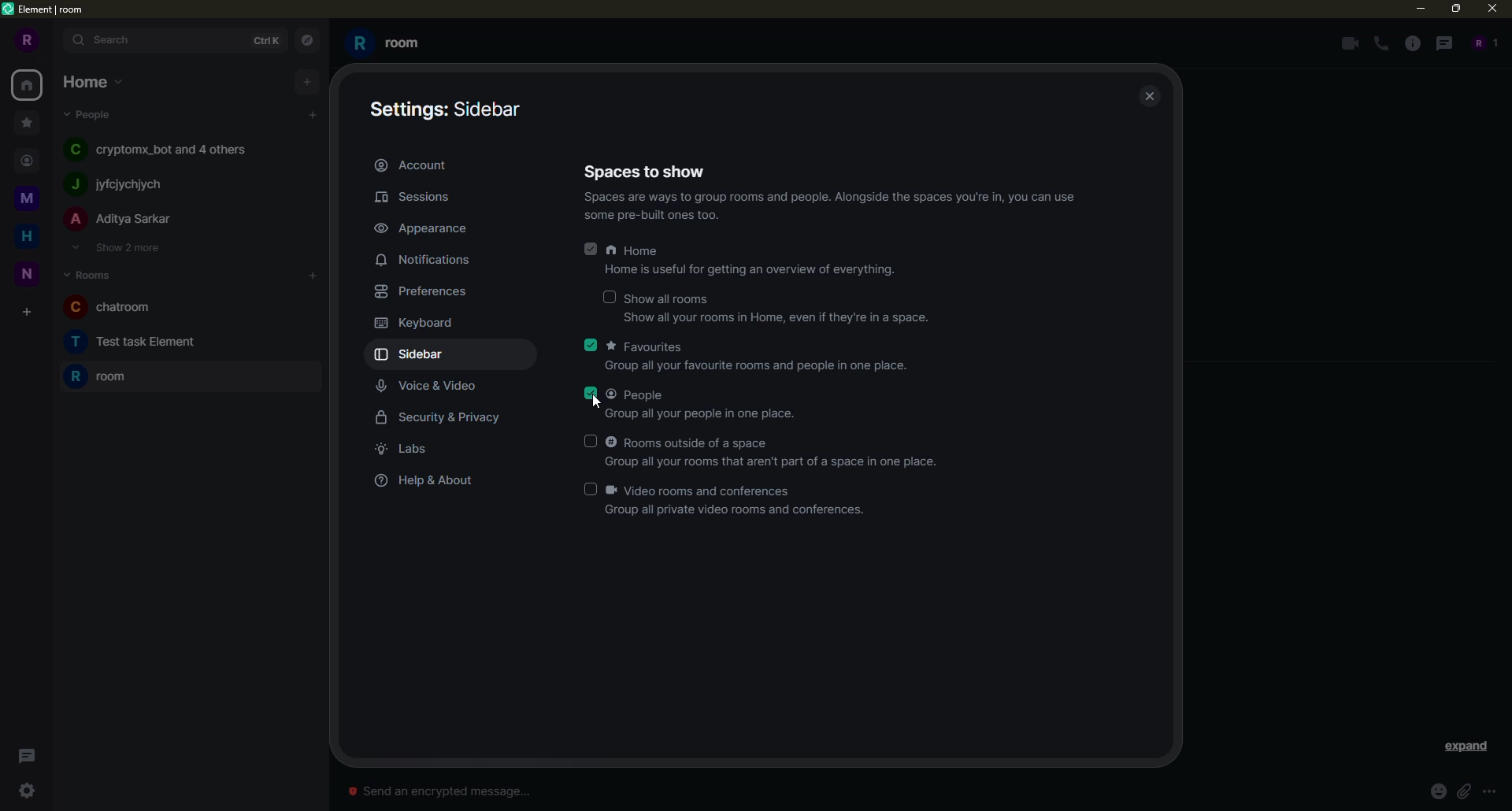  I want to click on add, so click(309, 80).